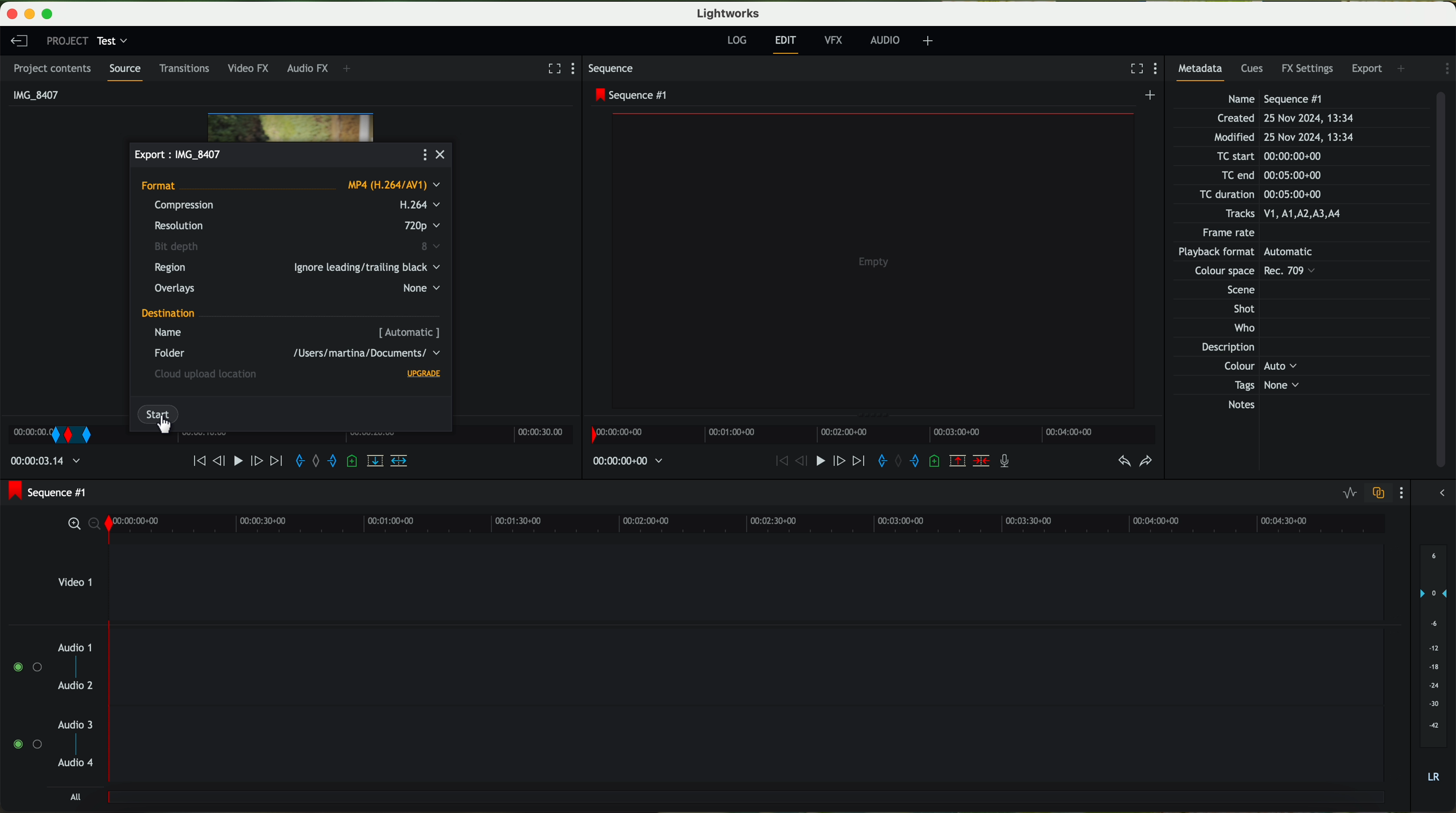 This screenshot has height=813, width=1456. I want to click on undo, so click(1123, 461).